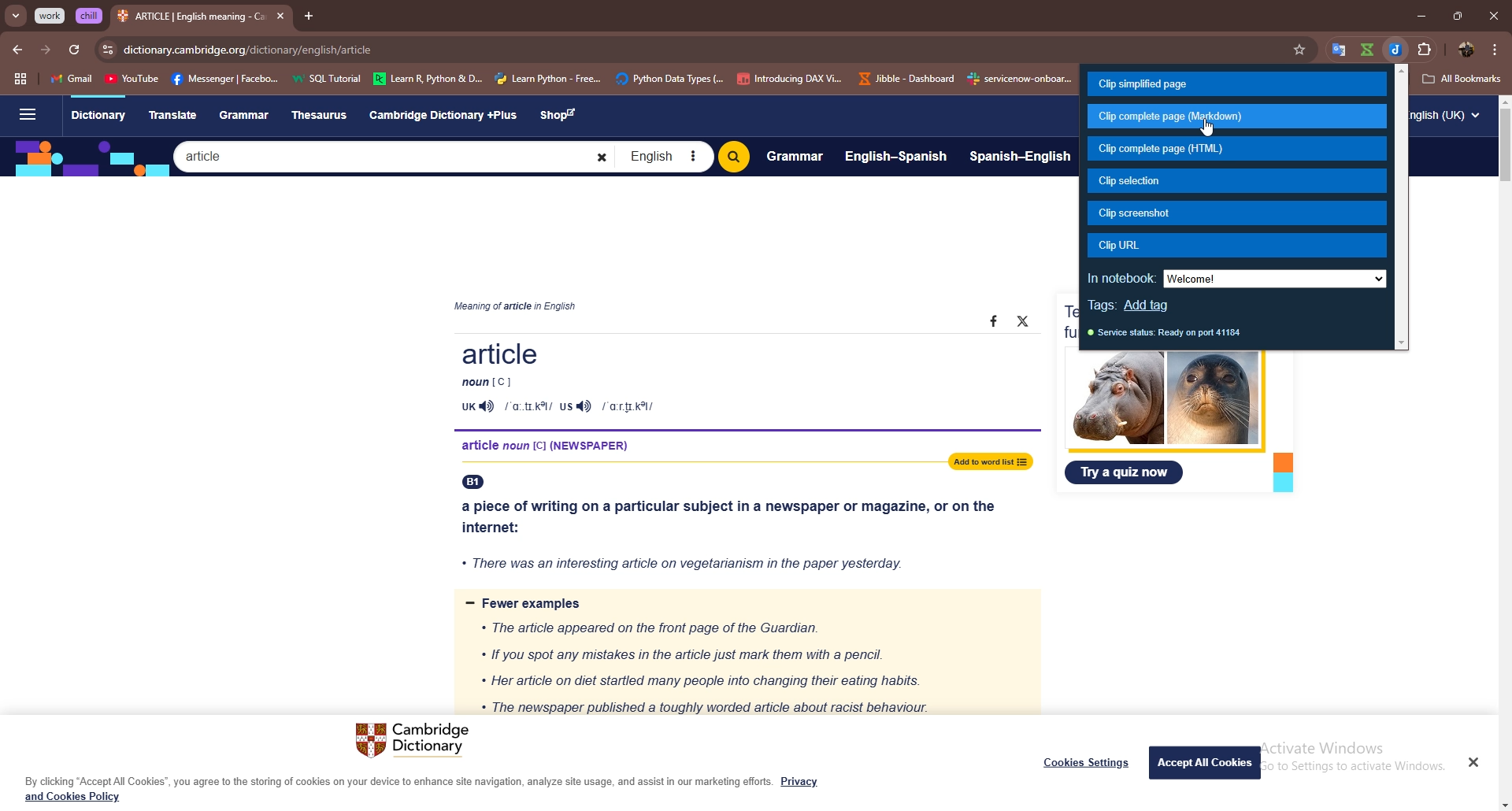  I want to click on clip complete page (html), so click(1238, 150).